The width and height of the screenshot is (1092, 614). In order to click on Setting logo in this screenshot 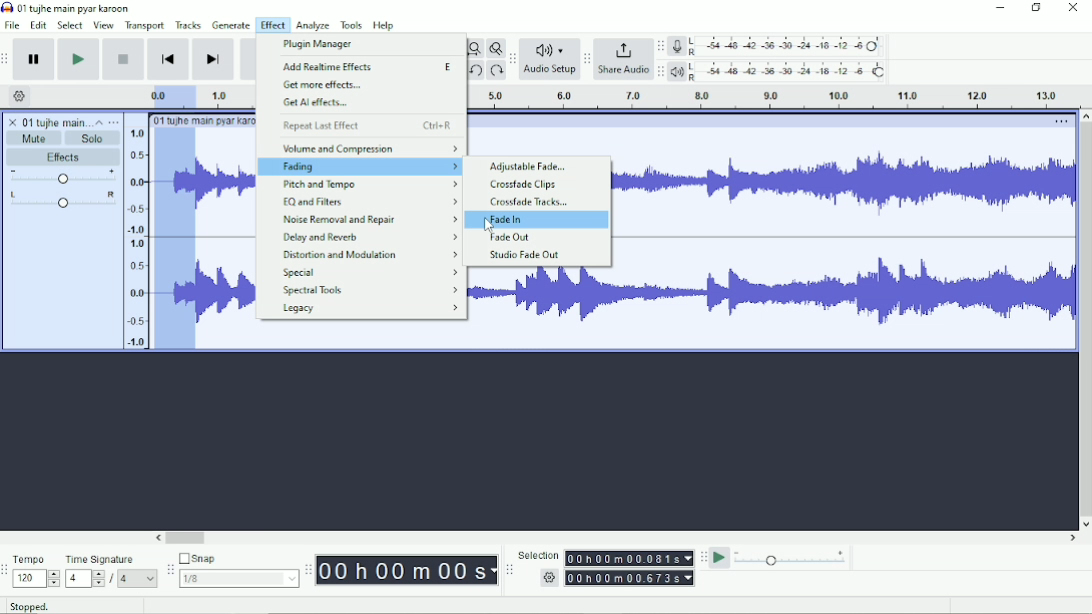, I will do `click(20, 95)`.